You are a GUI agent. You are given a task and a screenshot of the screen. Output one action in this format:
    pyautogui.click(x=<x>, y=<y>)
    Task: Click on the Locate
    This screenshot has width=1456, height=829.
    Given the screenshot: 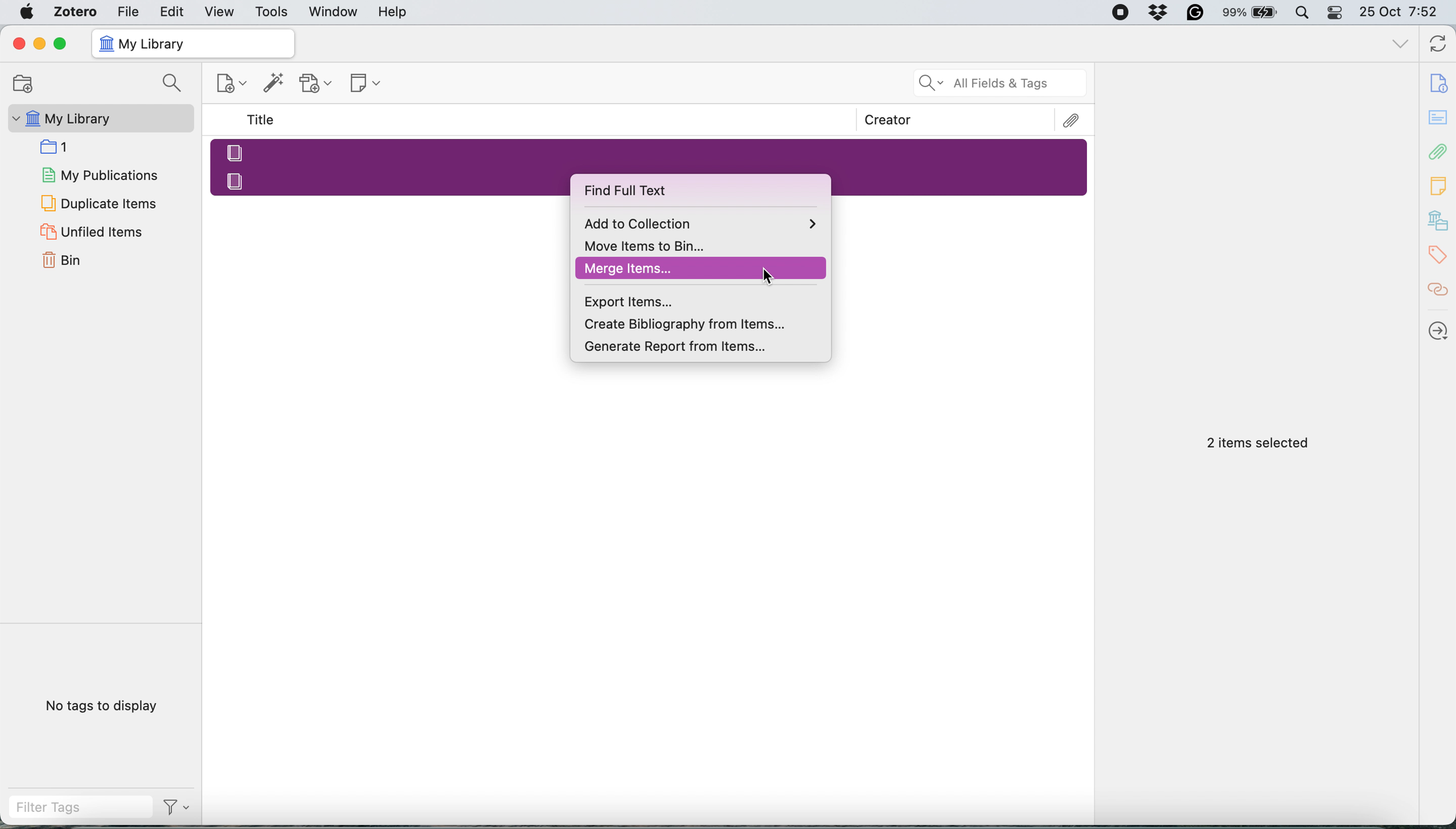 What is the action you would take?
    pyautogui.click(x=1439, y=331)
    